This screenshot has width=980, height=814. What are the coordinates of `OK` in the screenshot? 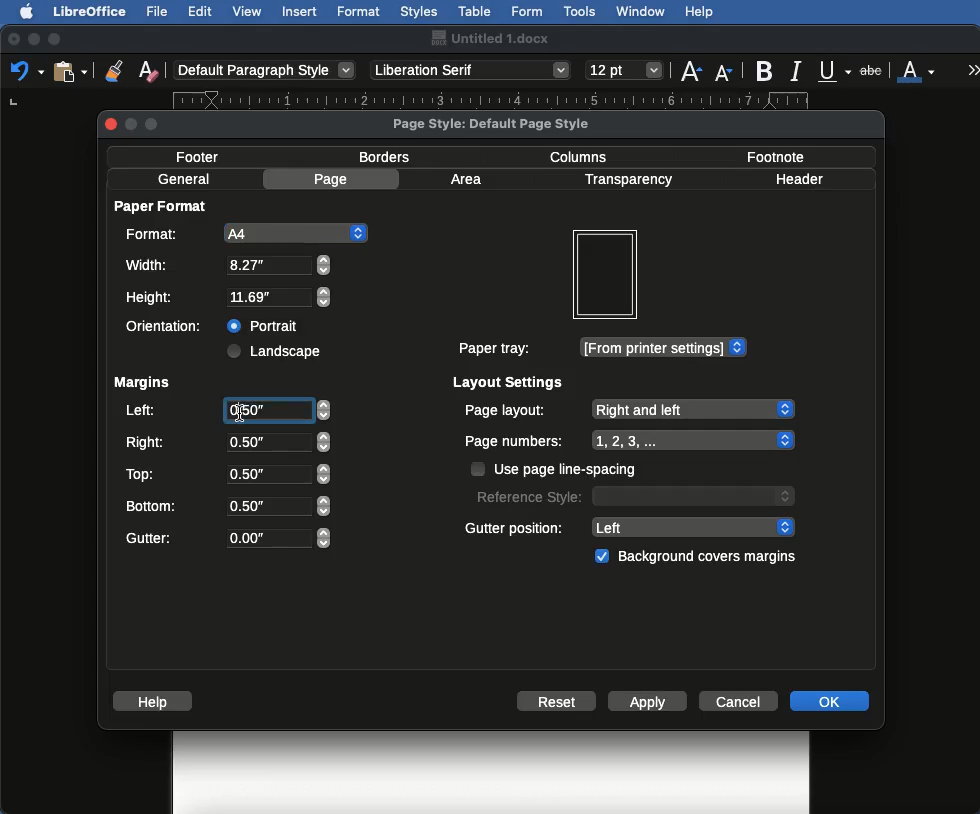 It's located at (829, 700).